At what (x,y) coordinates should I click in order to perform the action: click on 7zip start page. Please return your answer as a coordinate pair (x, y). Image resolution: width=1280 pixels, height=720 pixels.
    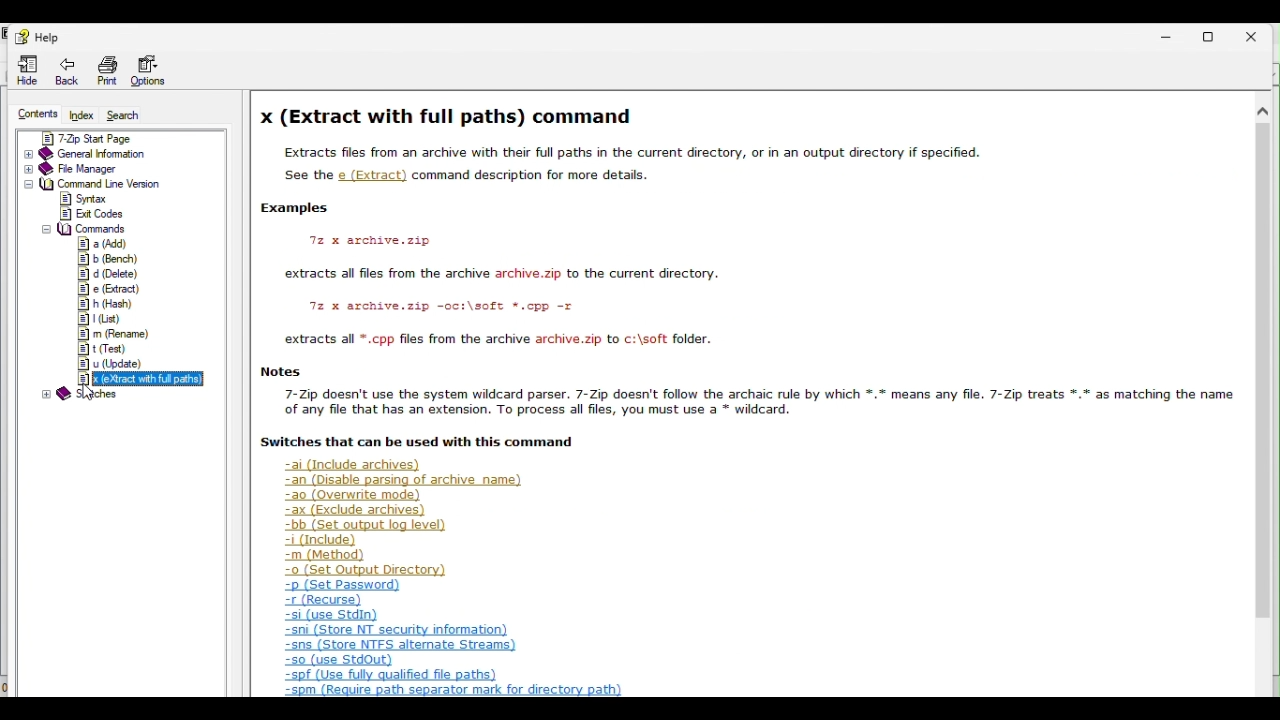
    Looking at the image, I should click on (119, 139).